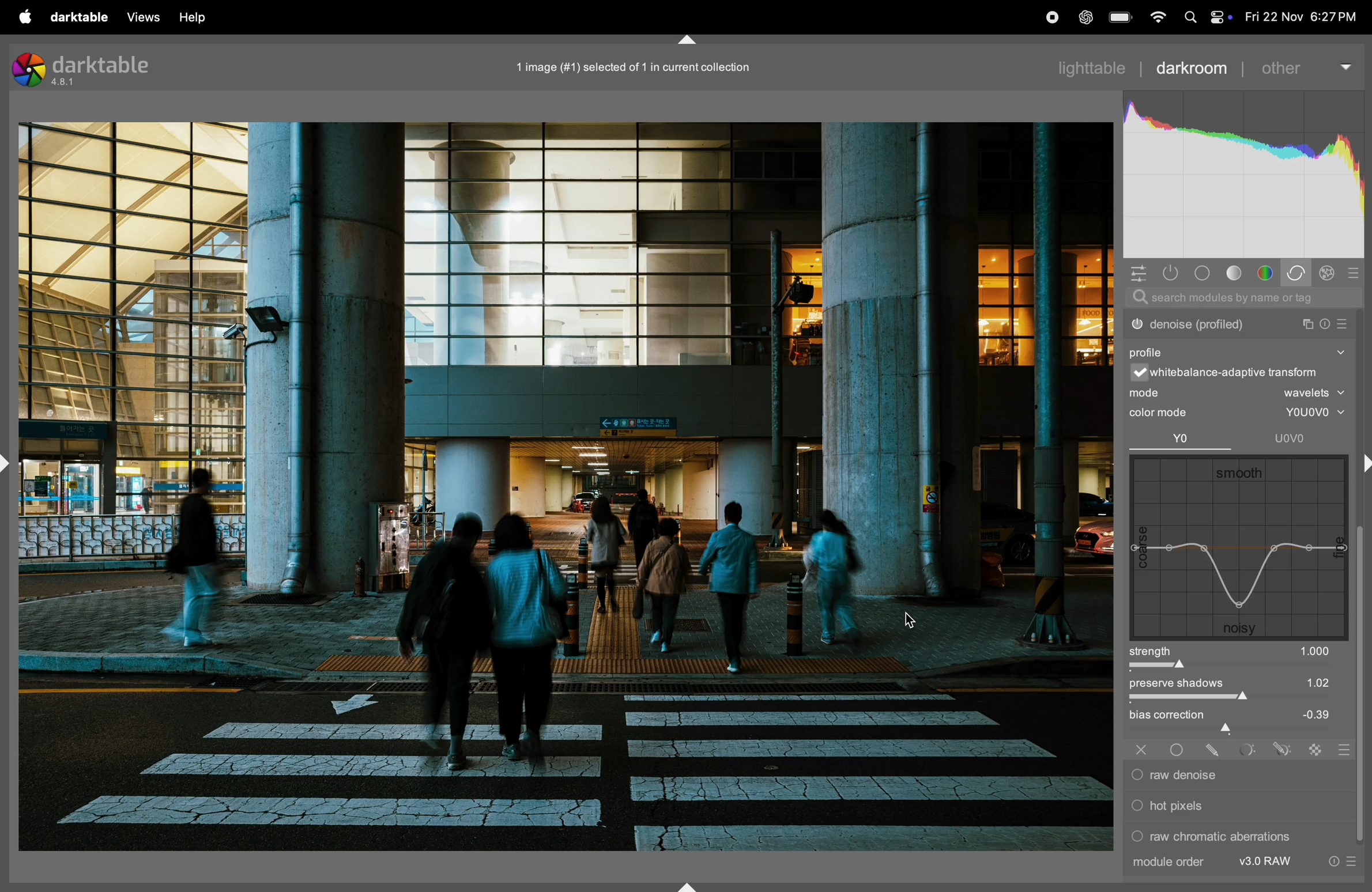 This screenshot has height=892, width=1372. What do you see at coordinates (1243, 299) in the screenshot?
I see `searchbar` at bounding box center [1243, 299].